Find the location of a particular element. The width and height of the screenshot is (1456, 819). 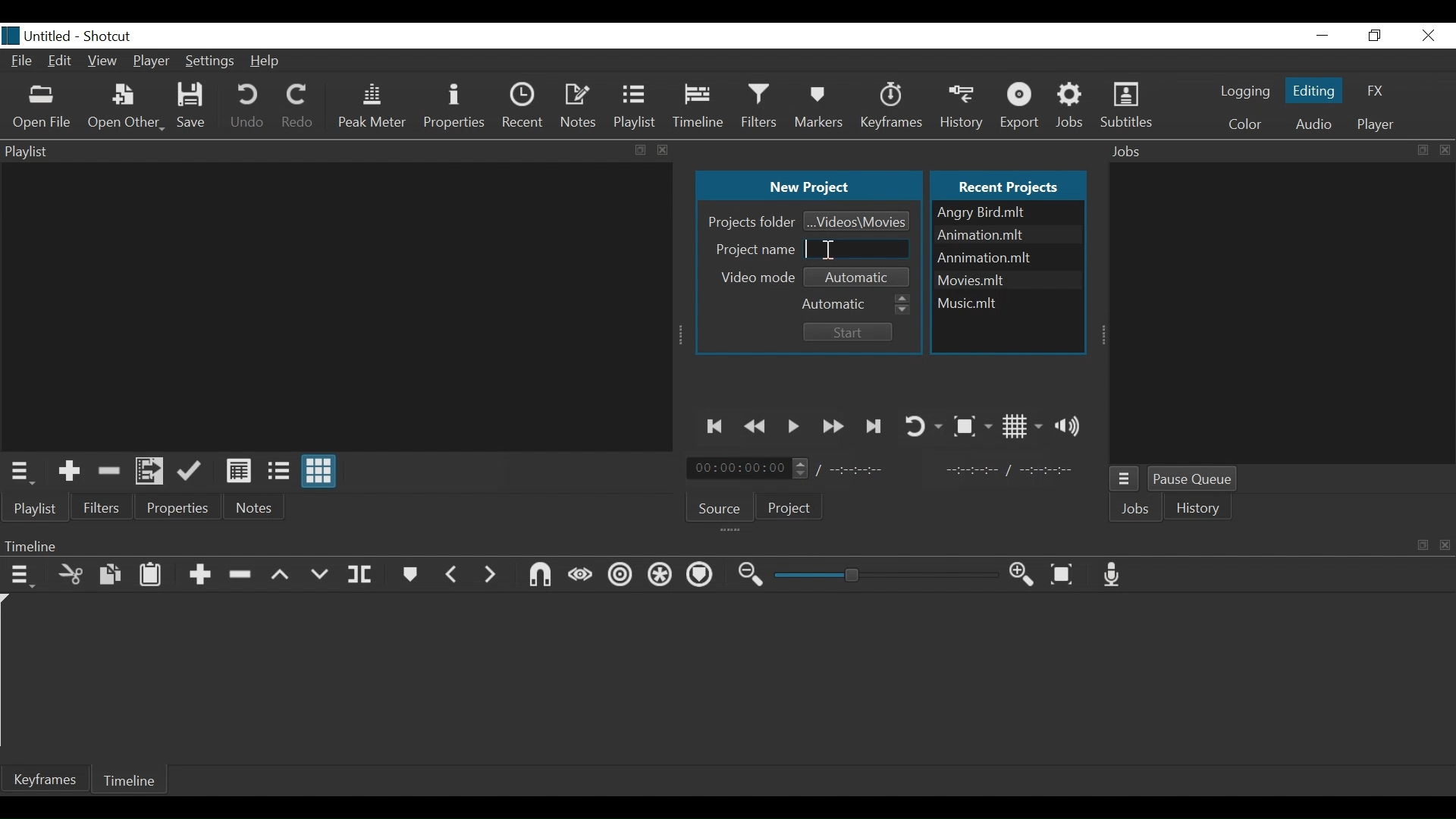

Start is located at coordinates (845, 332).